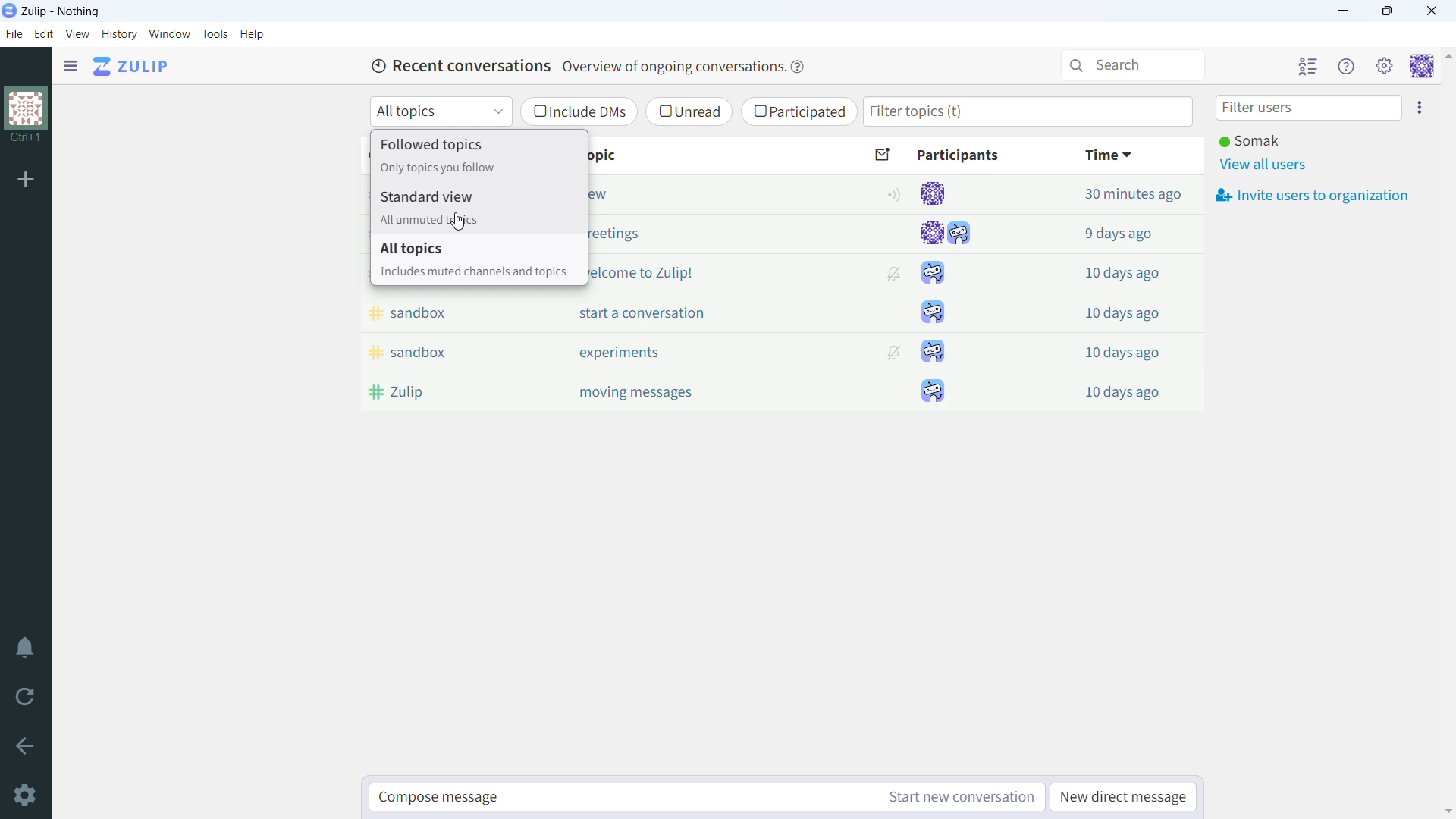 This screenshot has height=819, width=1456. I want to click on help menu, so click(1346, 66).